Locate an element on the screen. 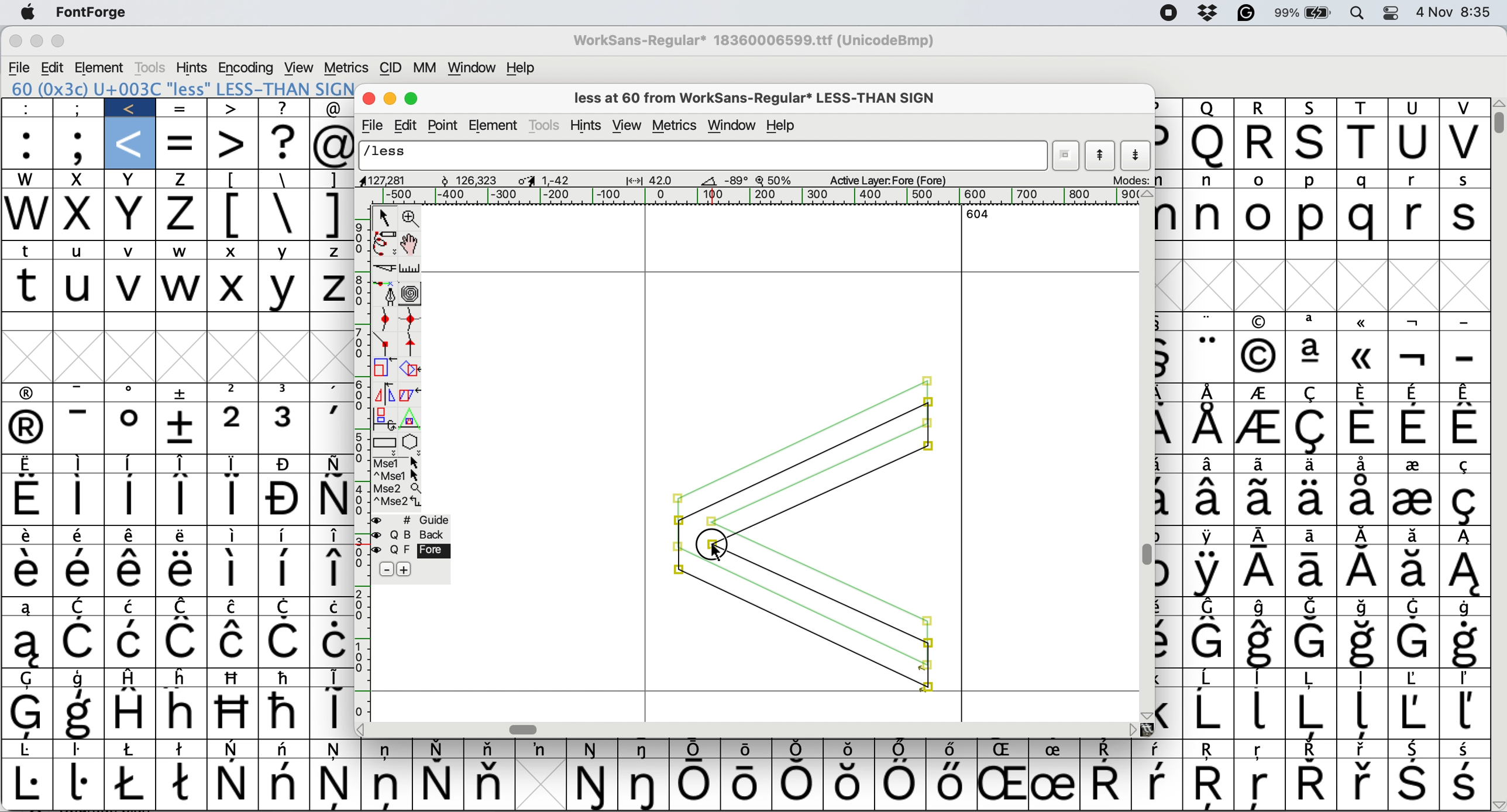 Image resolution: width=1507 pixels, height=812 pixels. rotate selection in 3d and project it back to plane is located at coordinates (385, 417).